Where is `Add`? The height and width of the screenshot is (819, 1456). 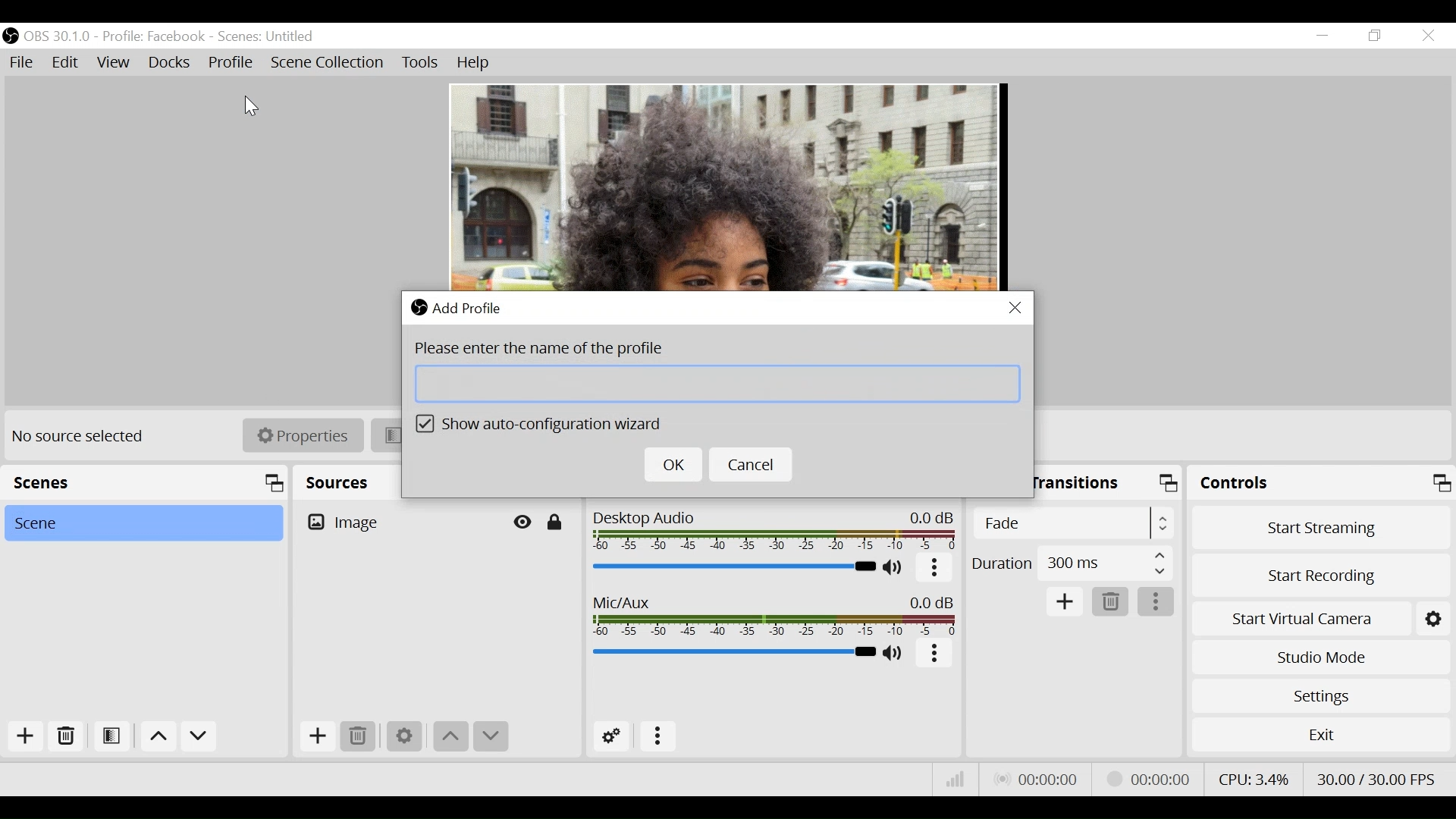 Add is located at coordinates (1066, 603).